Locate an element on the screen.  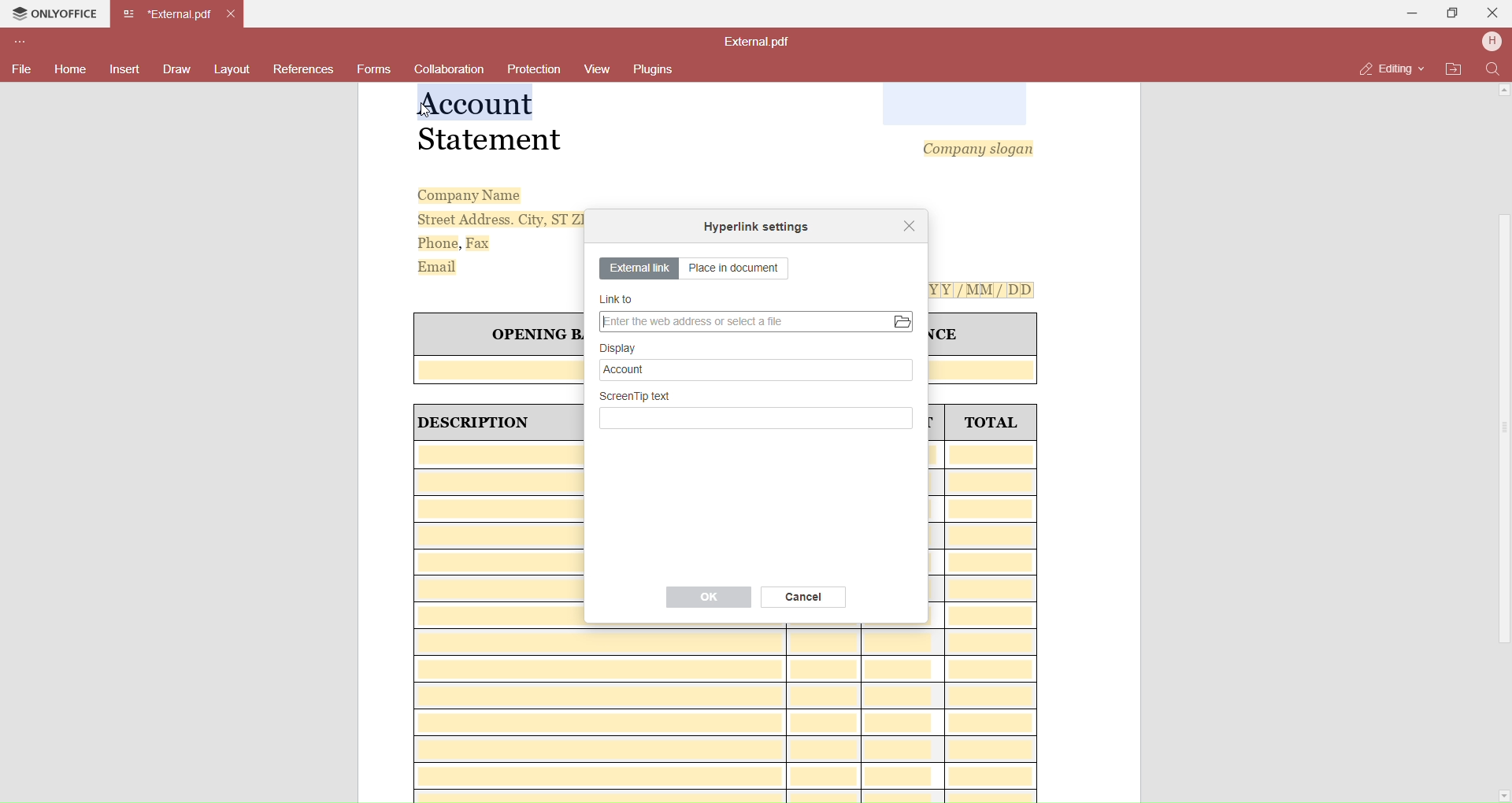
Collaboration is located at coordinates (450, 71).